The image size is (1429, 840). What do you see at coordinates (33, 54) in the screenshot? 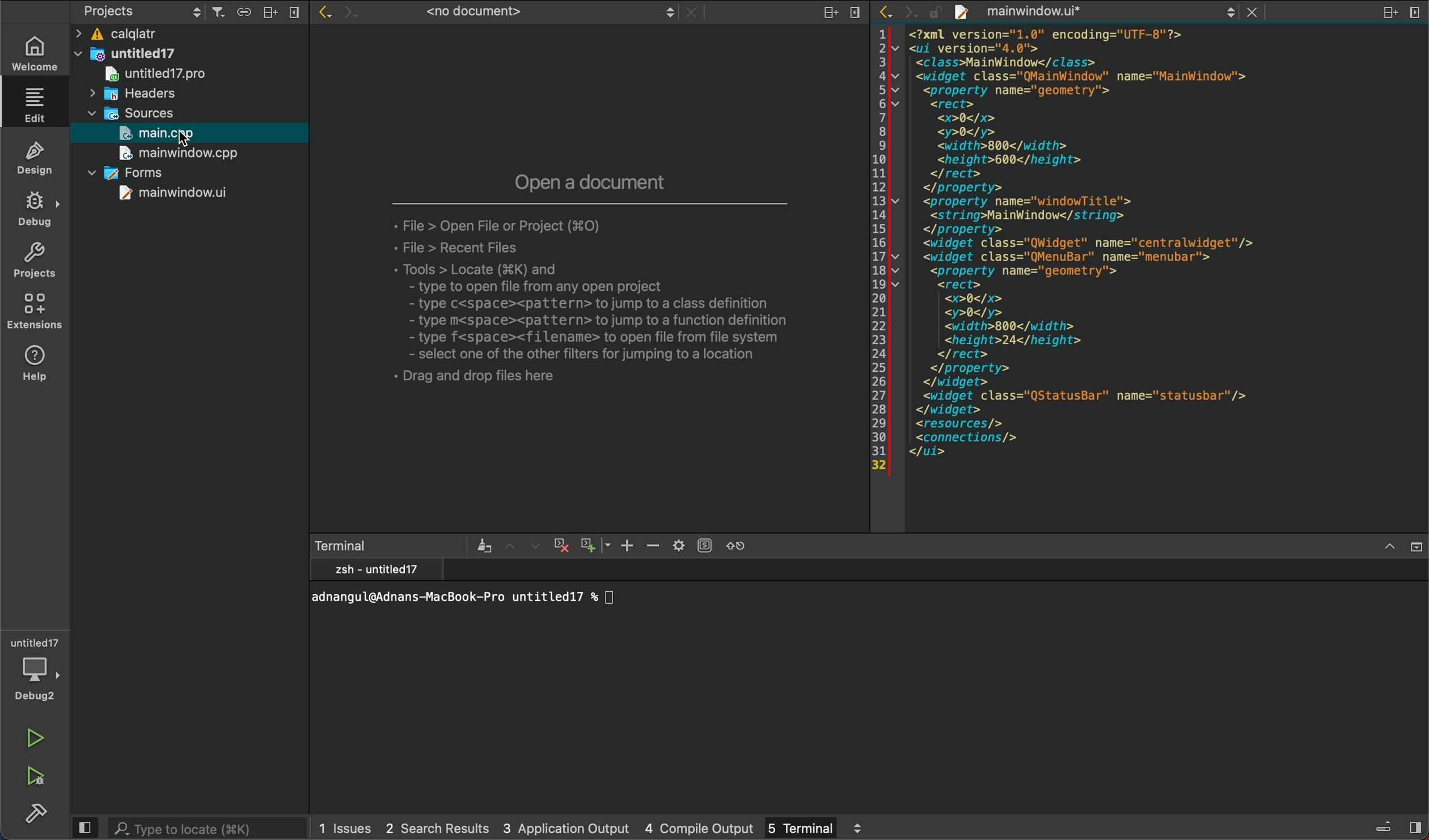
I see `welcome` at bounding box center [33, 54].